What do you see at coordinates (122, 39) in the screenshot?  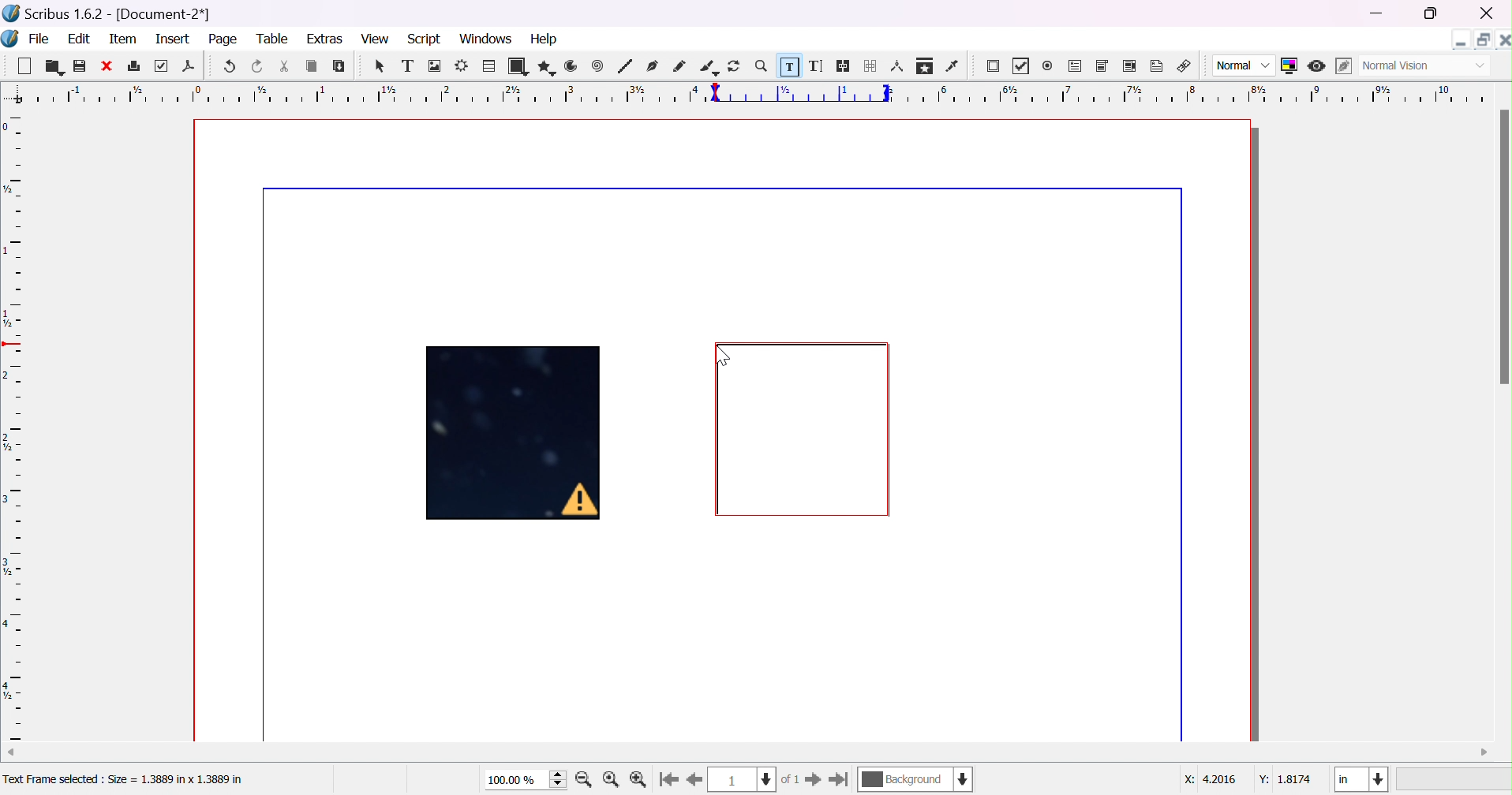 I see `item` at bounding box center [122, 39].